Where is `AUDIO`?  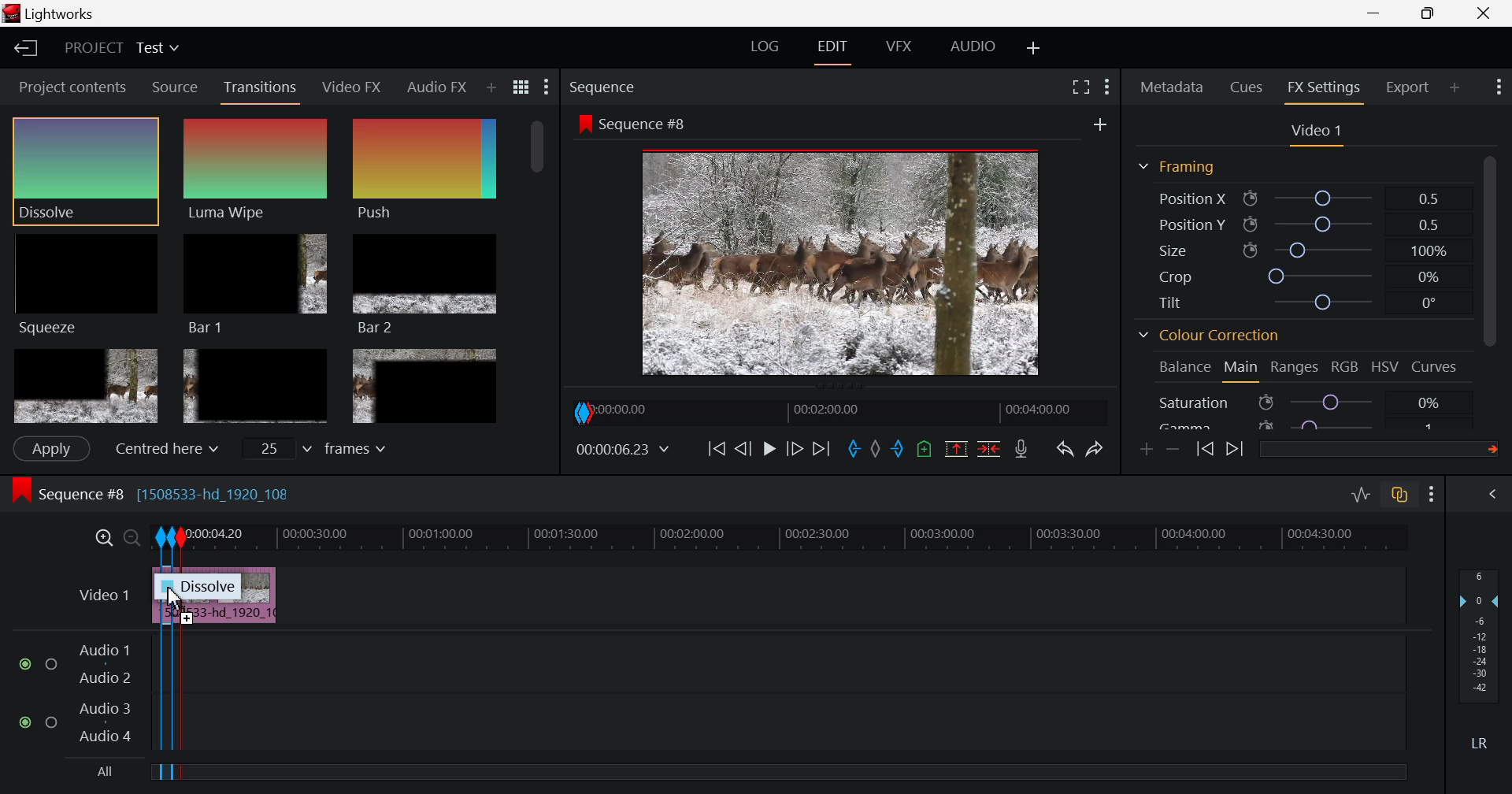
AUDIO is located at coordinates (974, 46).